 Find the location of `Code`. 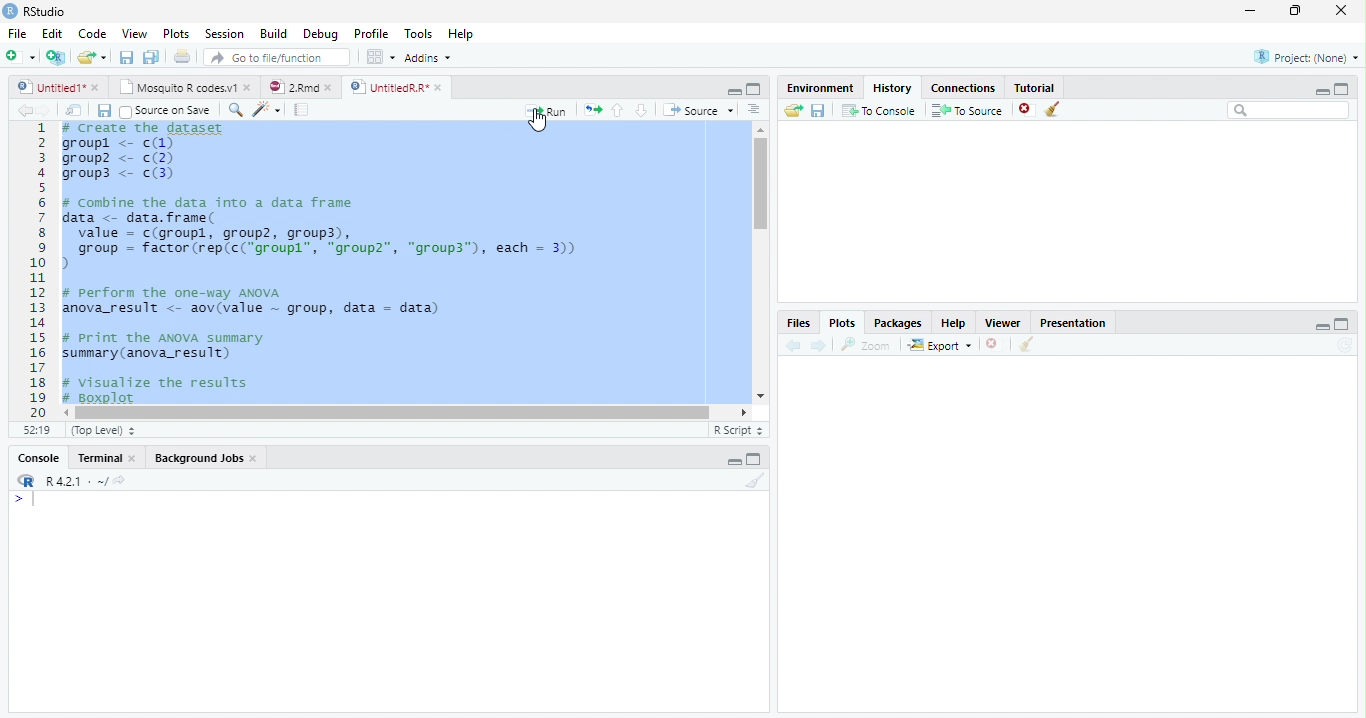

Code is located at coordinates (90, 34).